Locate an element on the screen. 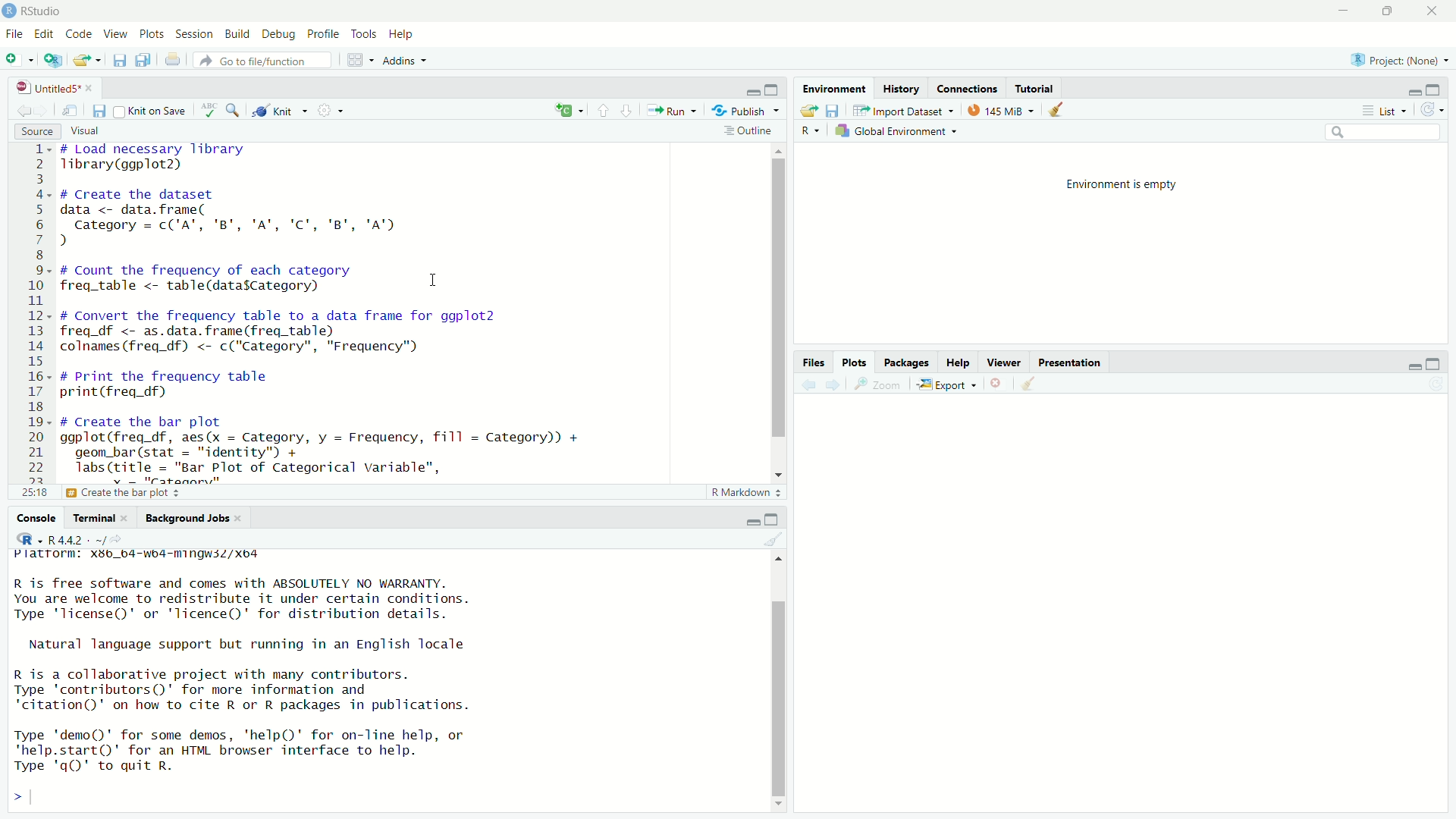 The image size is (1456, 819). tutorial is located at coordinates (1035, 88).